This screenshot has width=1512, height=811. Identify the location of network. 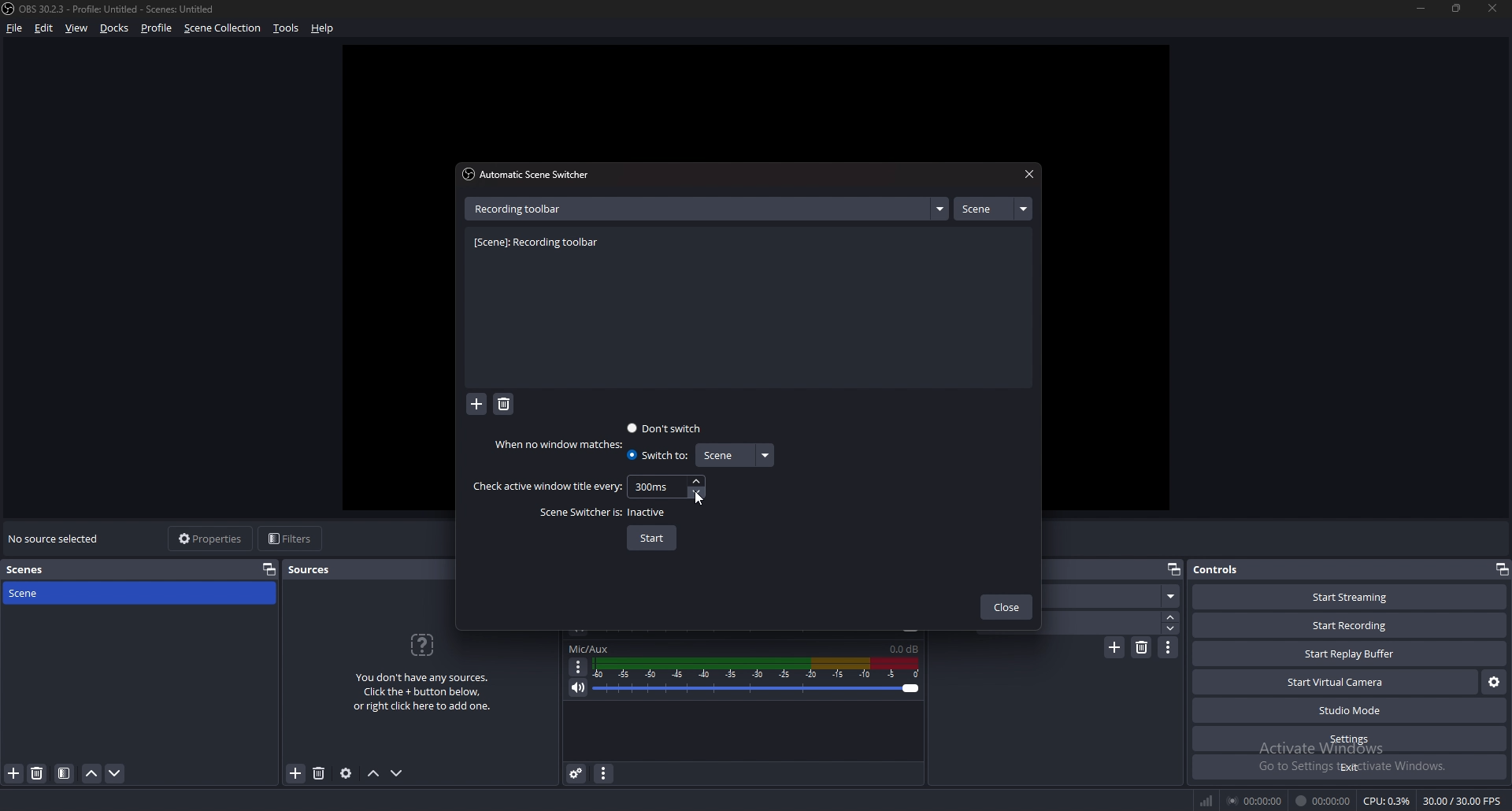
(1208, 800).